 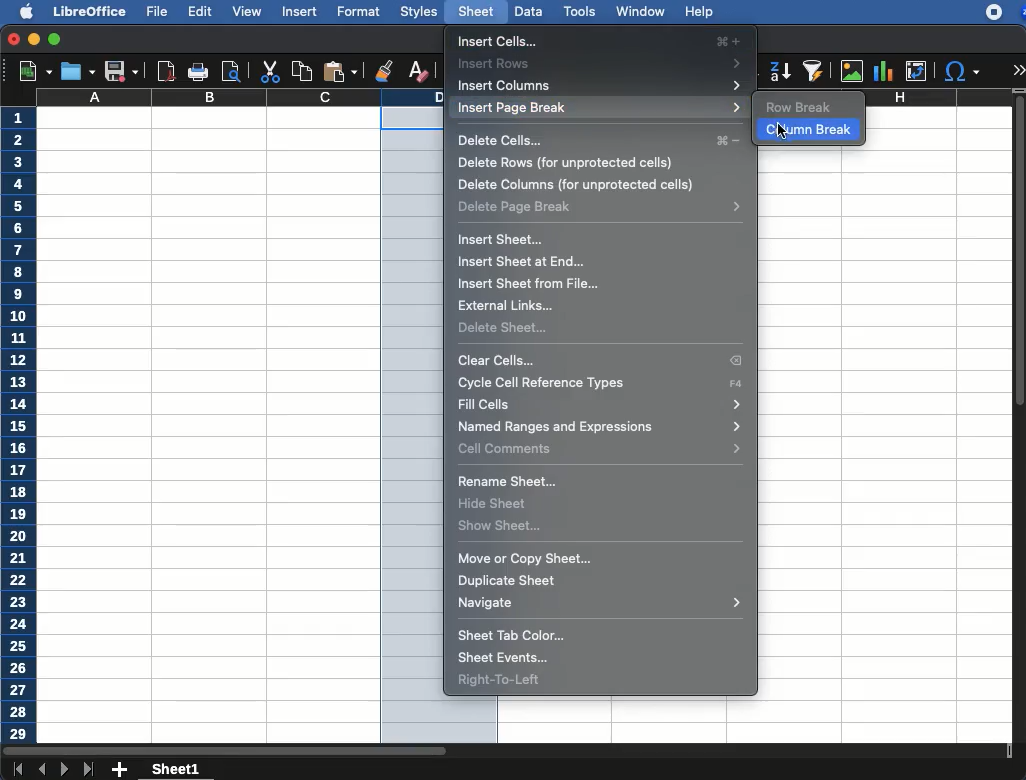 What do you see at coordinates (601, 86) in the screenshot?
I see `insert columns ` at bounding box center [601, 86].